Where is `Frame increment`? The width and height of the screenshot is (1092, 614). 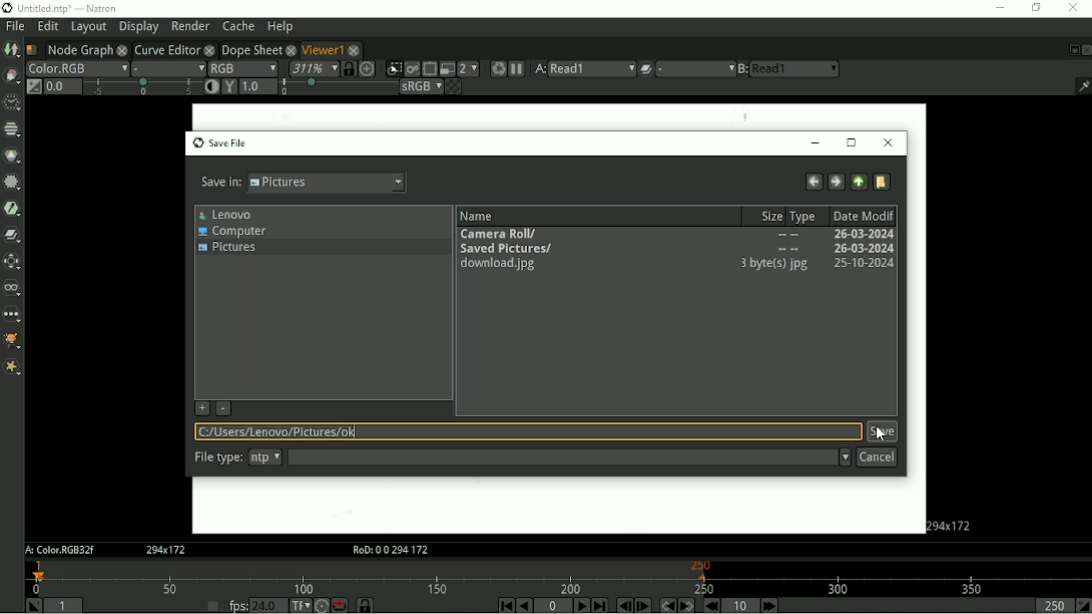 Frame increment is located at coordinates (741, 606).